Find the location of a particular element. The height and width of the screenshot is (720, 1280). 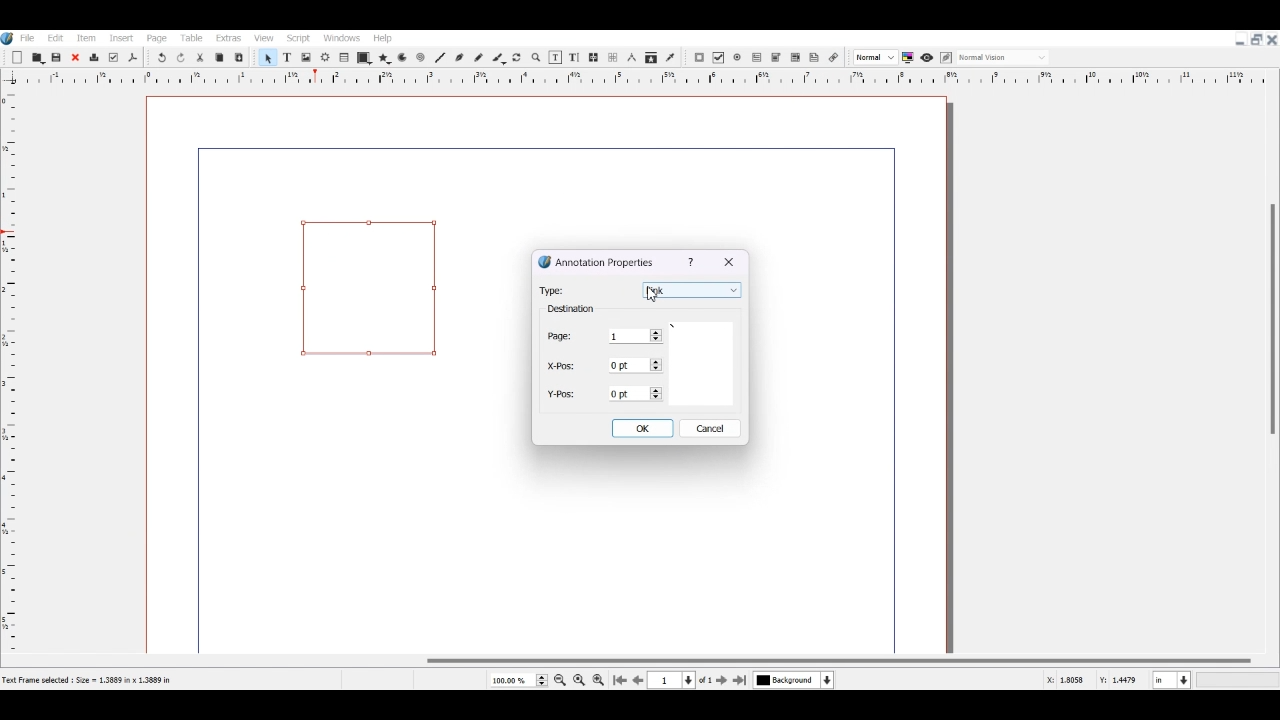

Edit Text is located at coordinates (574, 57).